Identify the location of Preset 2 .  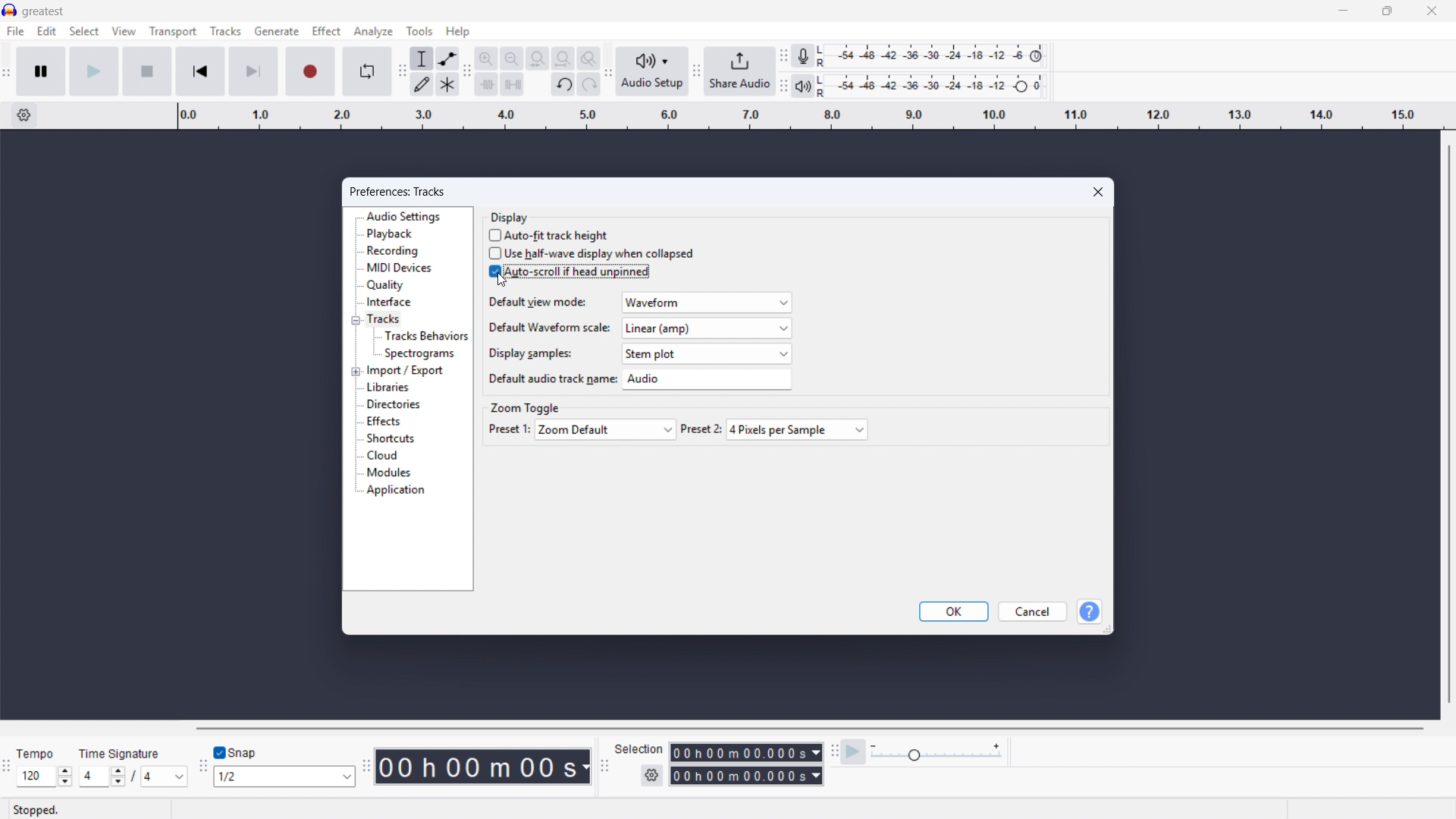
(796, 429).